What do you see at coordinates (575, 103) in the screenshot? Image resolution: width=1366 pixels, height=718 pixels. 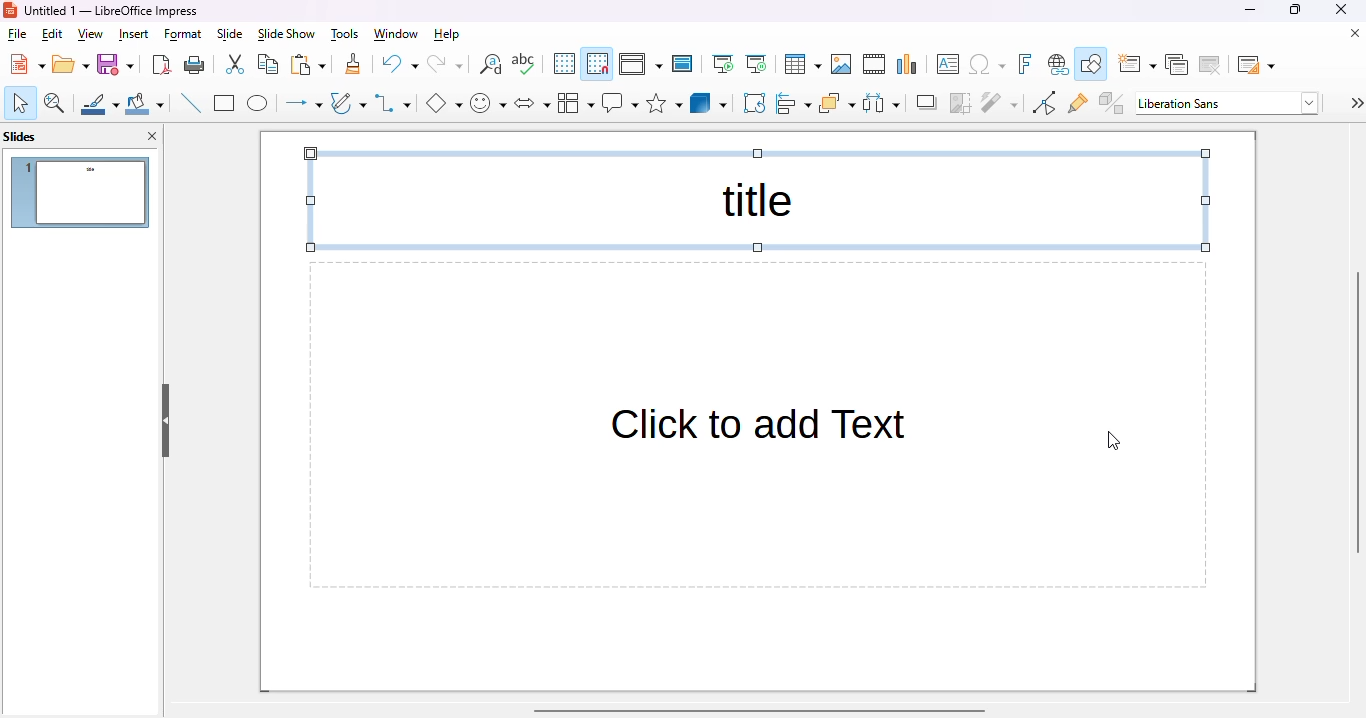 I see `flowchart` at bounding box center [575, 103].